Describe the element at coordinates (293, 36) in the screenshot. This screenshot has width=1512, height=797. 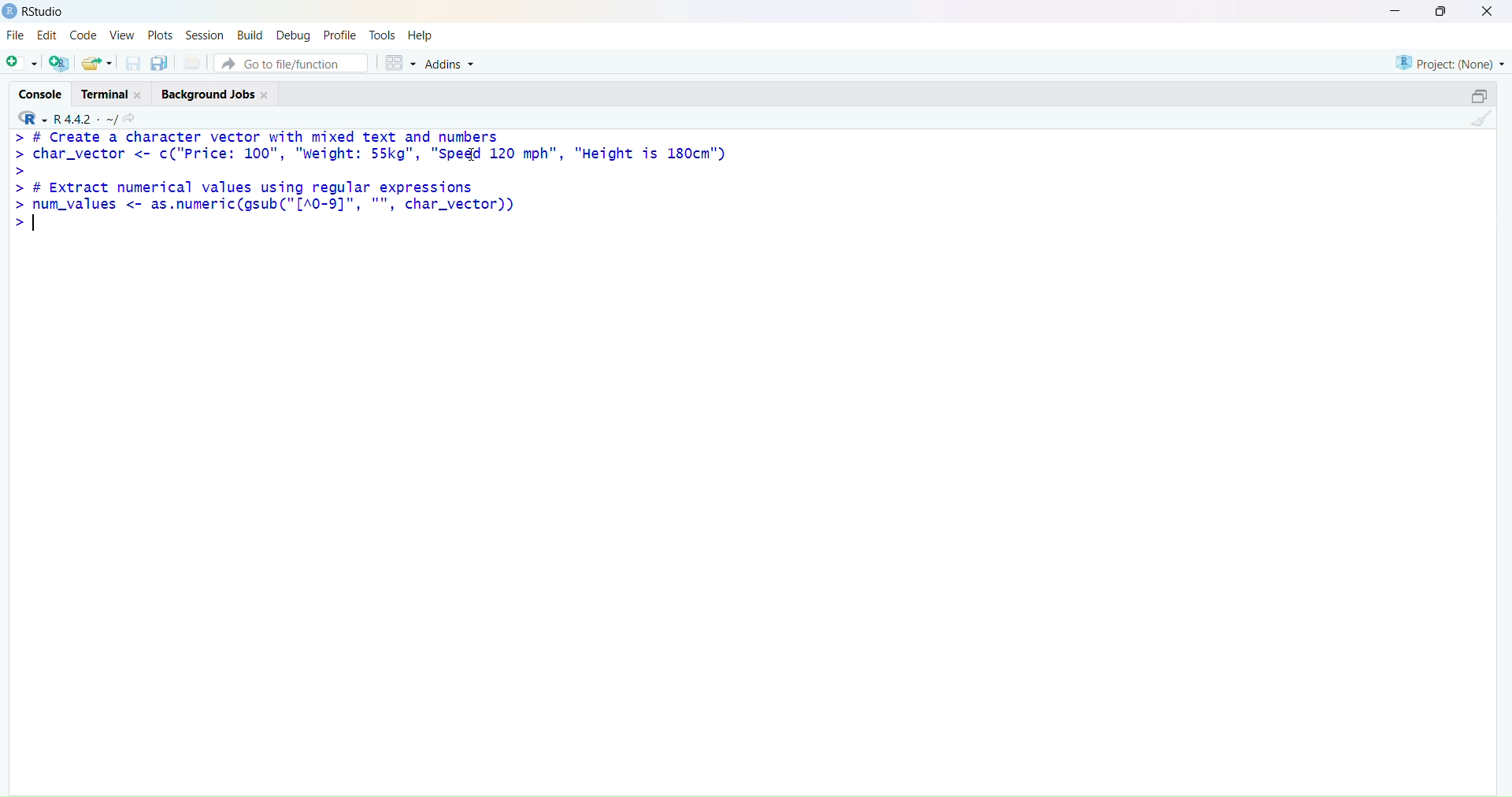
I see `debug` at that location.